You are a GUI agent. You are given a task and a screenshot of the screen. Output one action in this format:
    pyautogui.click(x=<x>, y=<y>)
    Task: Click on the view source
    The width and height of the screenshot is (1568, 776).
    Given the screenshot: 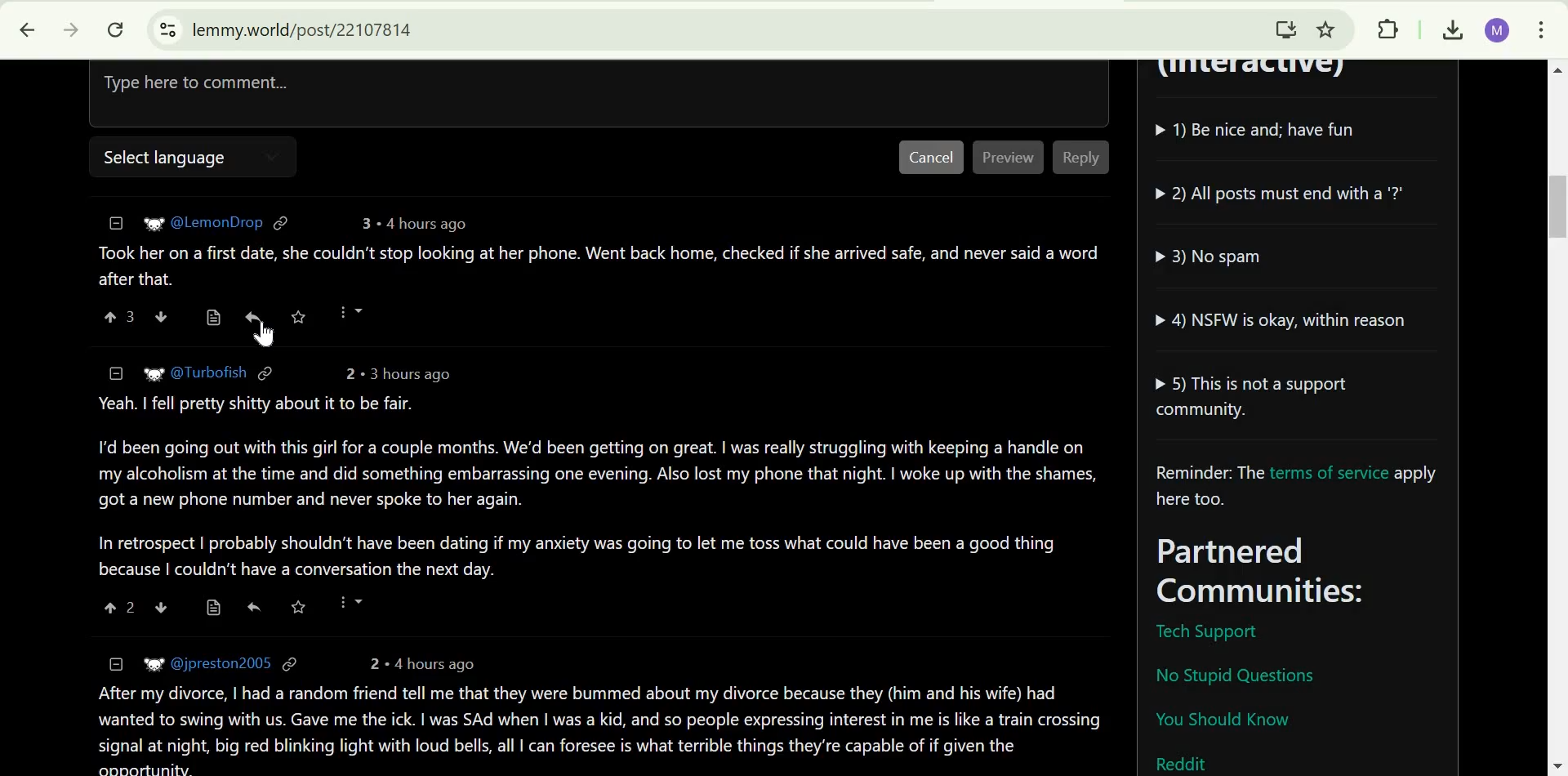 What is the action you would take?
    pyautogui.click(x=212, y=317)
    